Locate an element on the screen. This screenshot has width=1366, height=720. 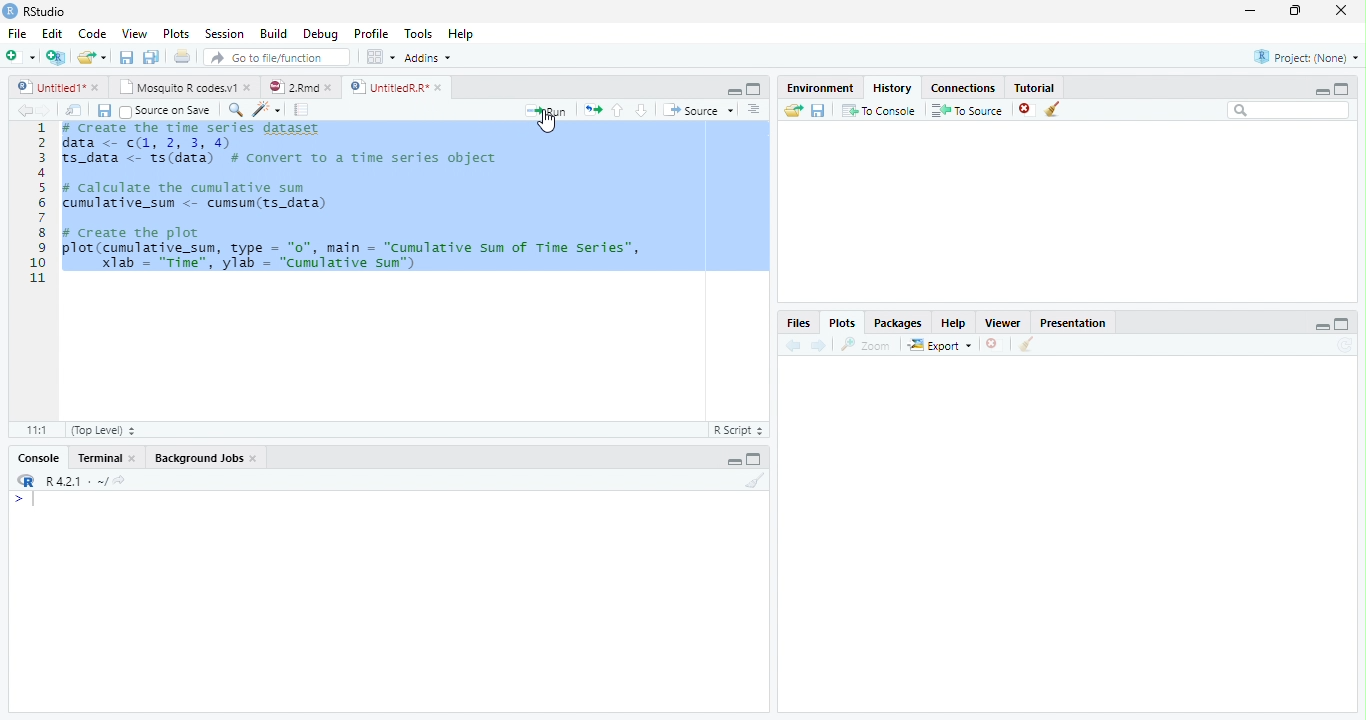
Minimize is located at coordinates (1322, 328).